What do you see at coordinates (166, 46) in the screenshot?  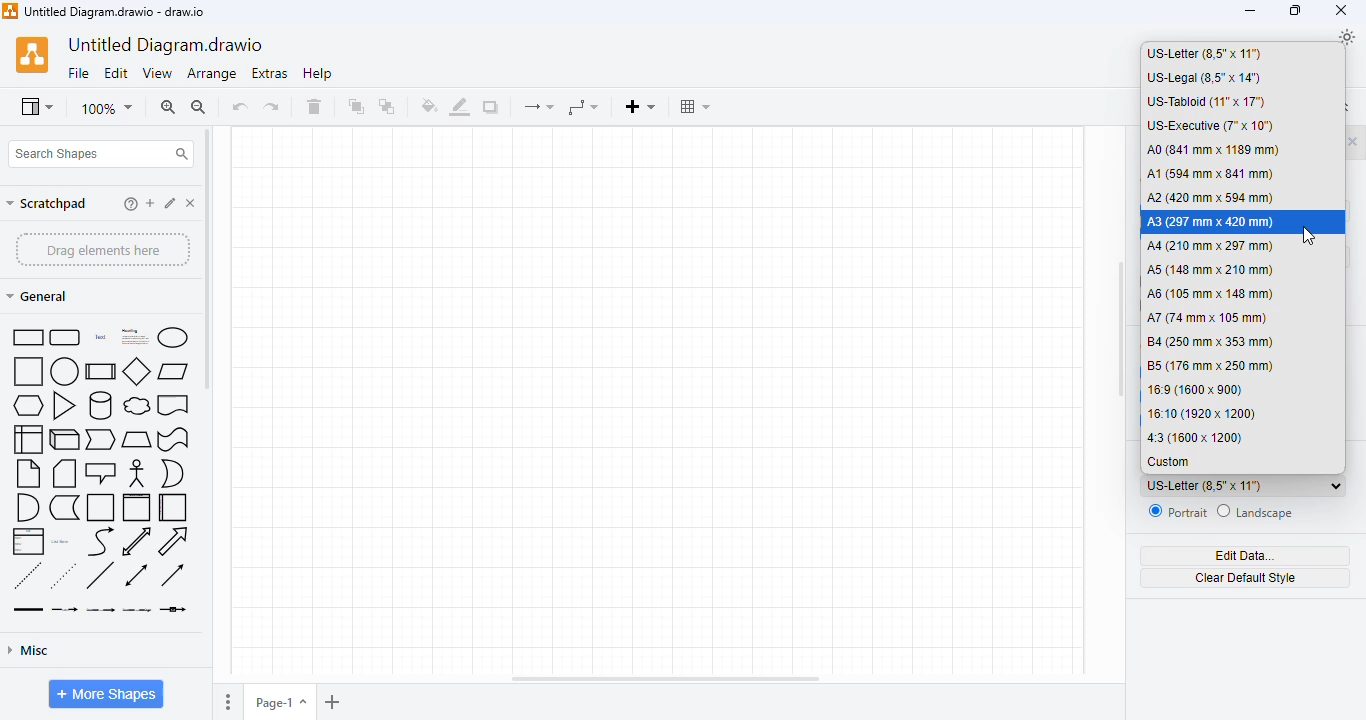 I see `title` at bounding box center [166, 46].